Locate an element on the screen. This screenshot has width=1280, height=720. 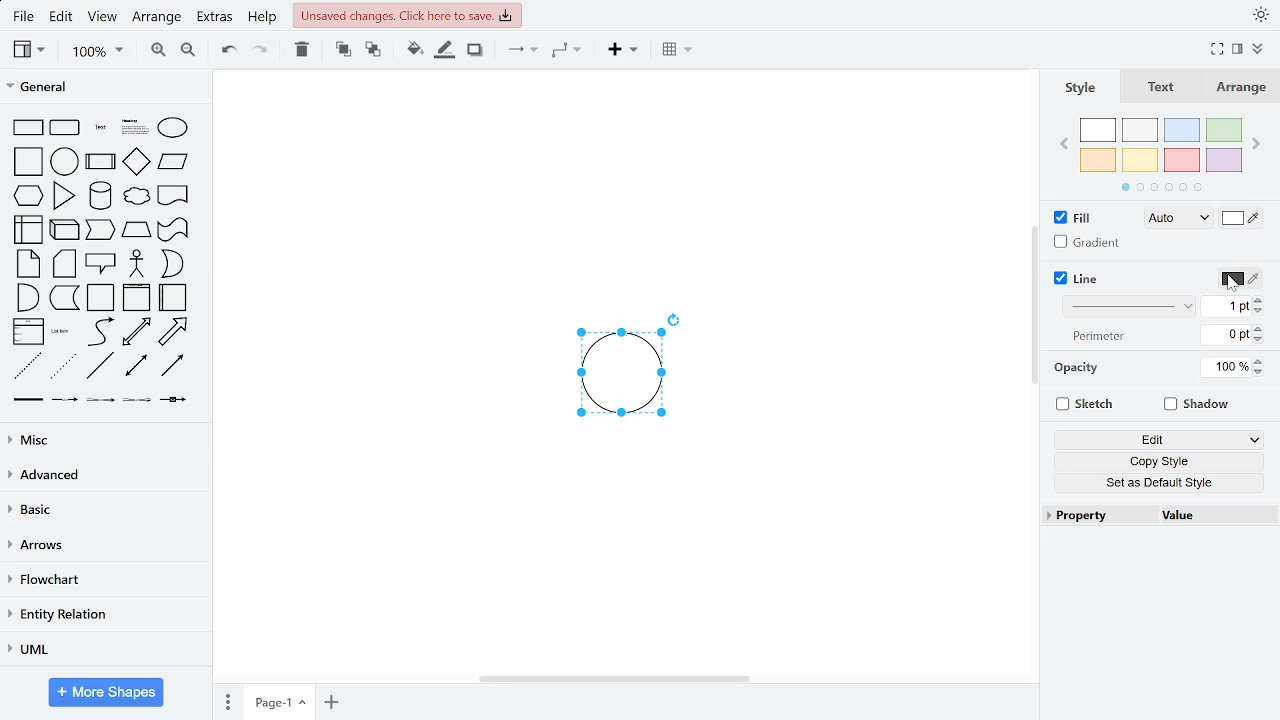
link with 2 label is located at coordinates (100, 399).